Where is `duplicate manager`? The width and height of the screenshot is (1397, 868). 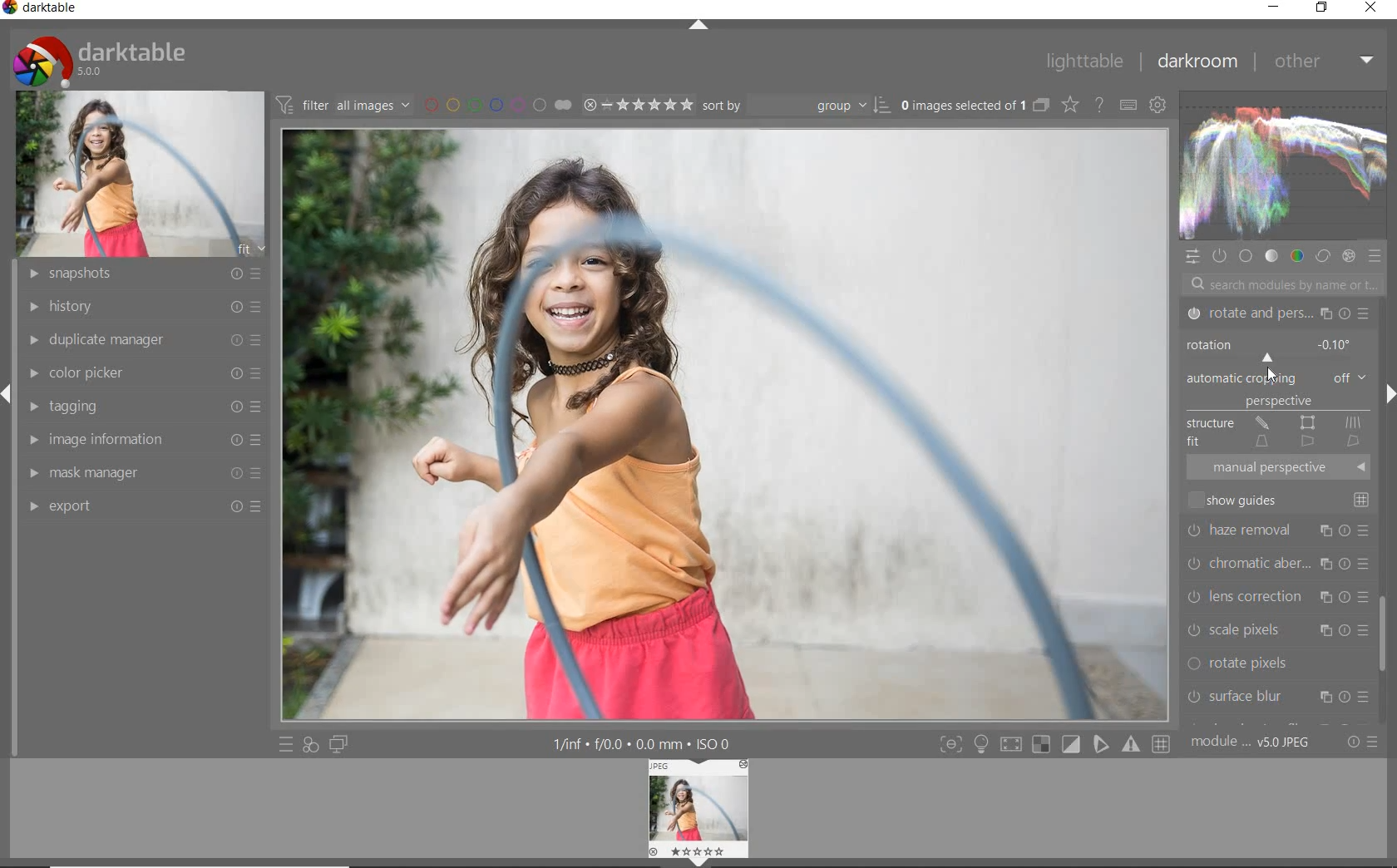 duplicate manager is located at coordinates (146, 340).